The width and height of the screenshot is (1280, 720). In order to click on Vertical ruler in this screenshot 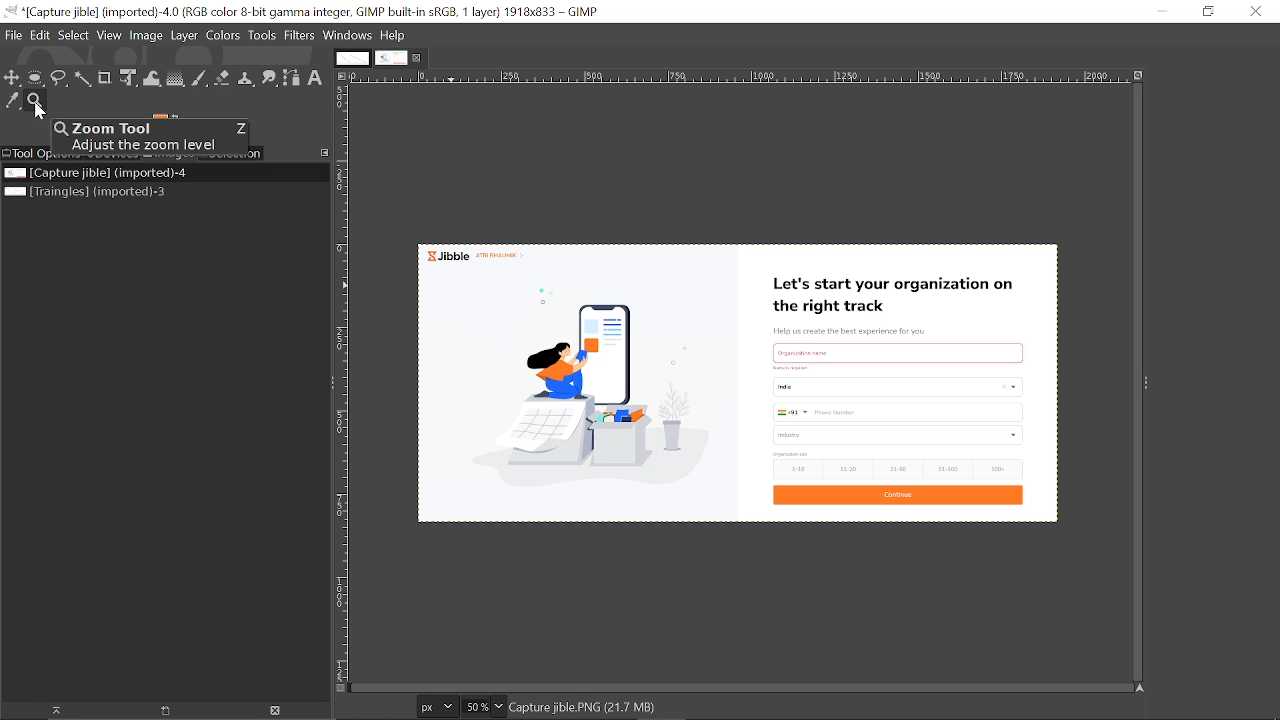, I will do `click(339, 383)`.